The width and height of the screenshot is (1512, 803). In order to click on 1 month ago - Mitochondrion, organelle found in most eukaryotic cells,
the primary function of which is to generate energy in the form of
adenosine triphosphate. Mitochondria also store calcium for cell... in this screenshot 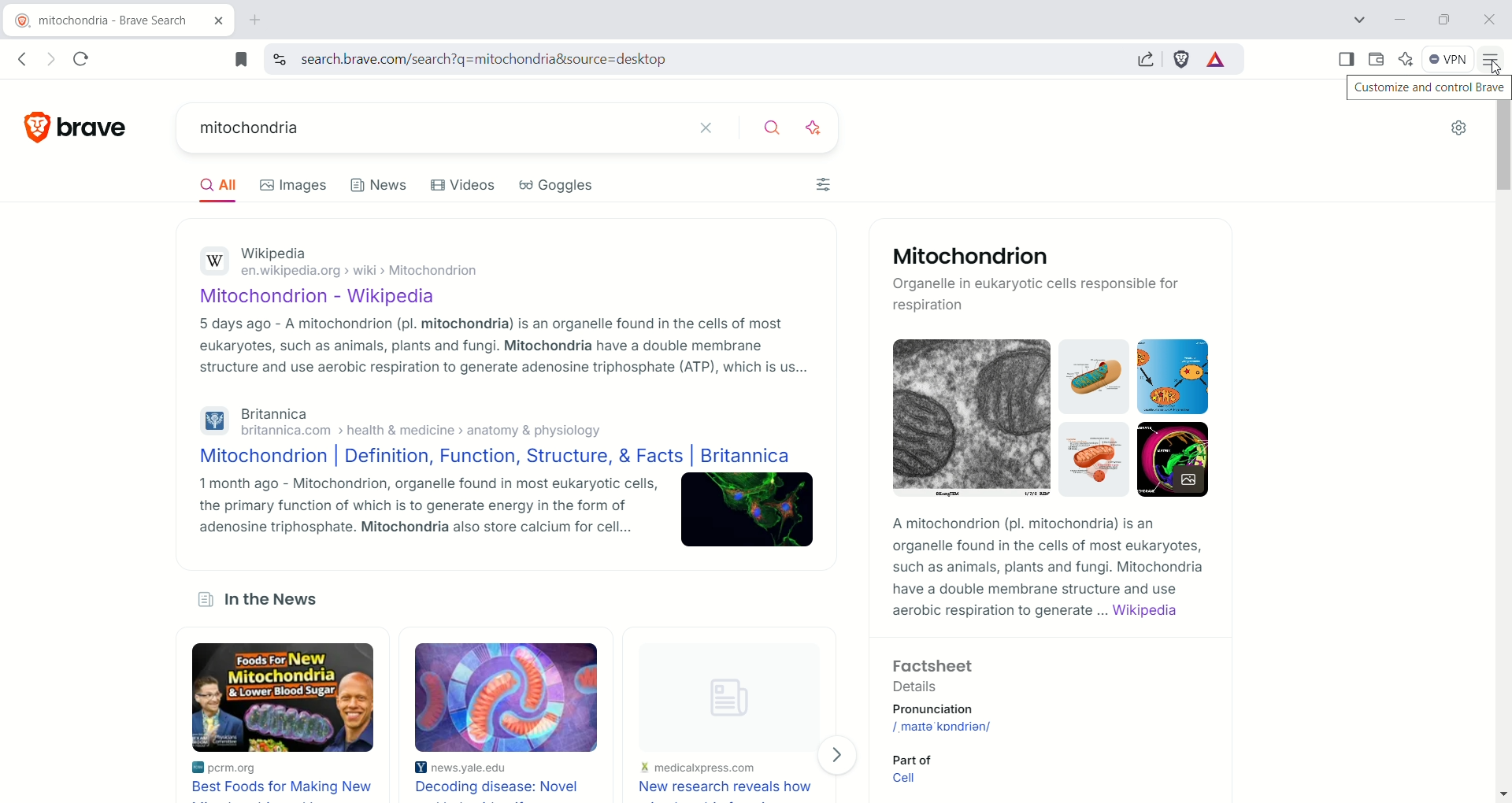, I will do `click(407, 516)`.